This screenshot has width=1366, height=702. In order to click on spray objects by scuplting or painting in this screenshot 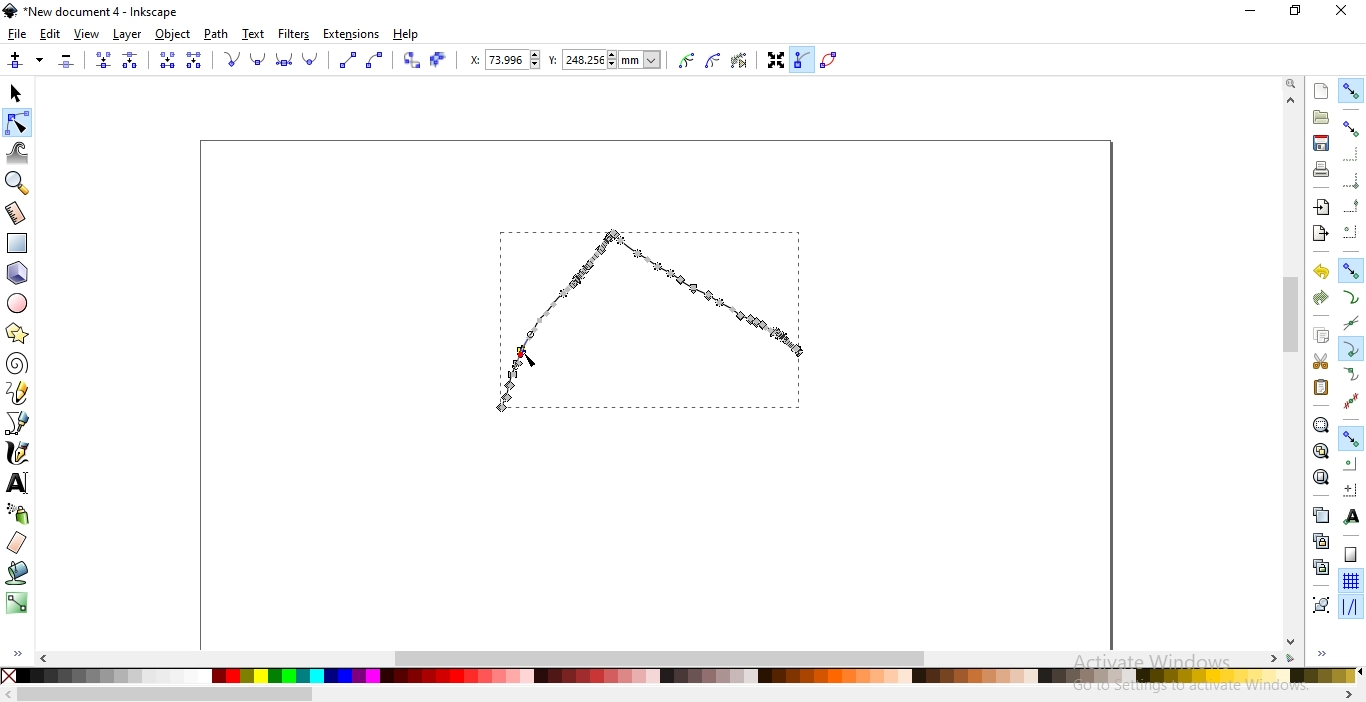, I will do `click(19, 513)`.